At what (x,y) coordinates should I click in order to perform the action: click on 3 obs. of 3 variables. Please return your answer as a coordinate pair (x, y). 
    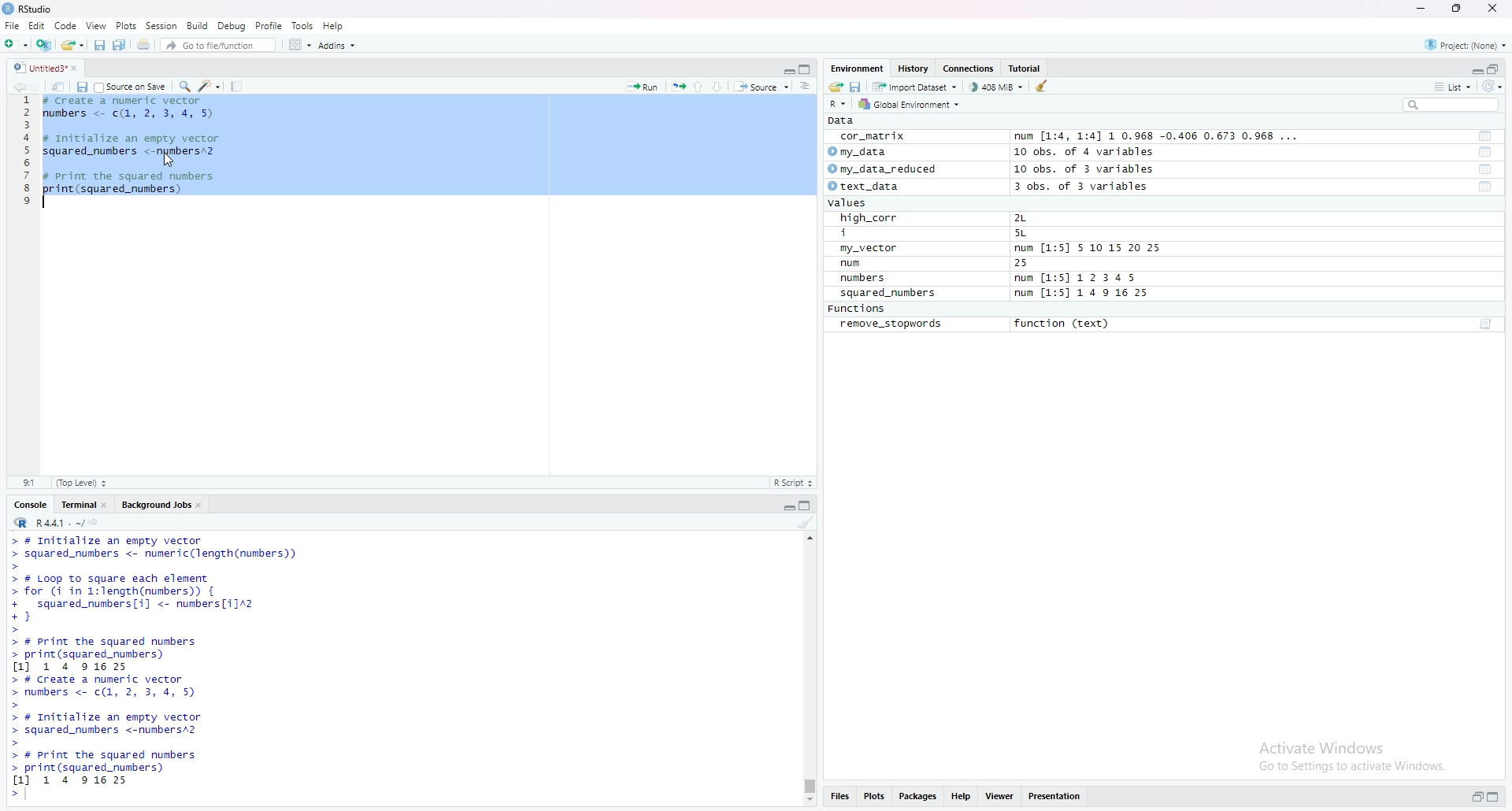
    Looking at the image, I should click on (1091, 187).